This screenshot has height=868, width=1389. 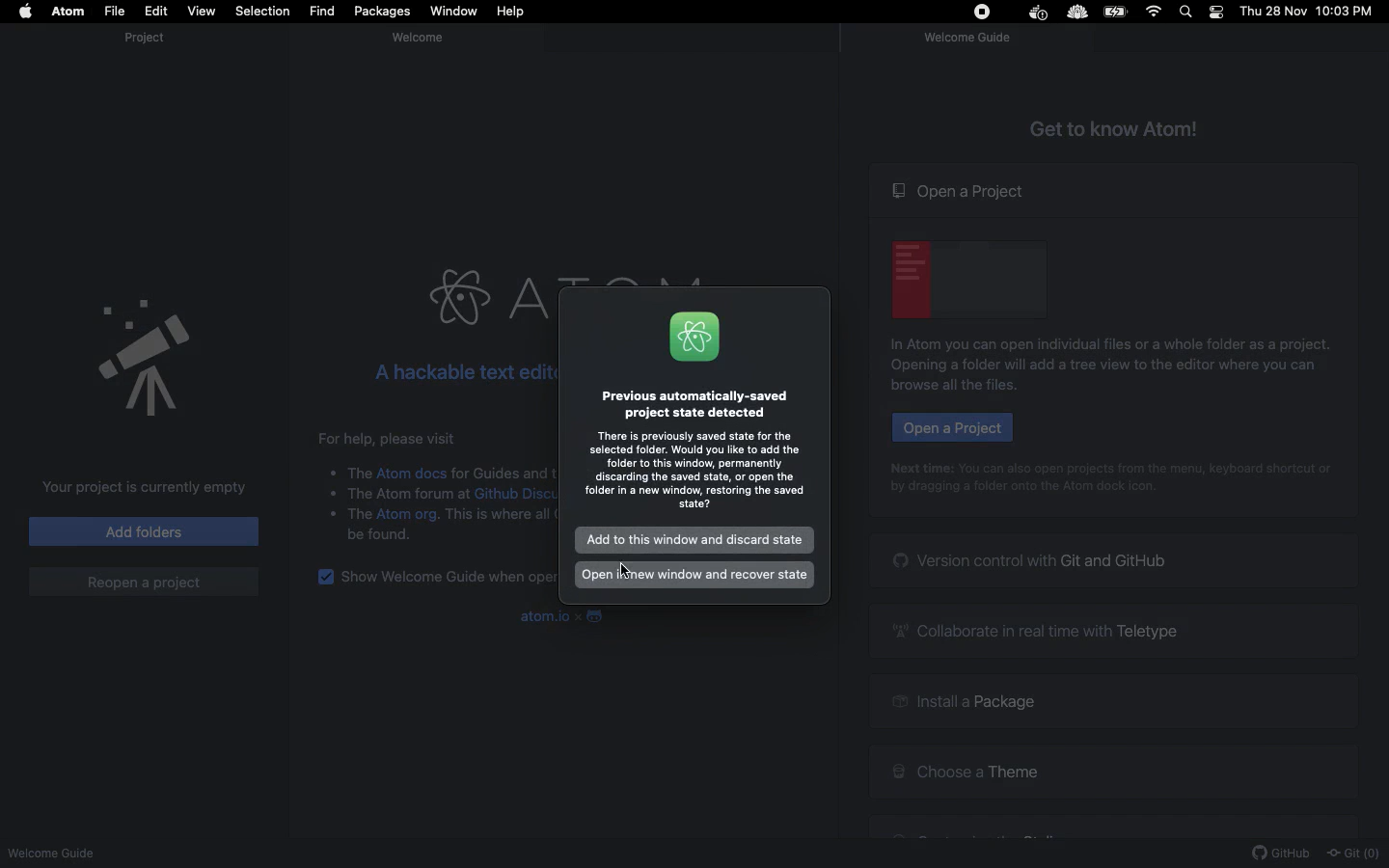 What do you see at coordinates (484, 298) in the screenshot?
I see `Atom` at bounding box center [484, 298].